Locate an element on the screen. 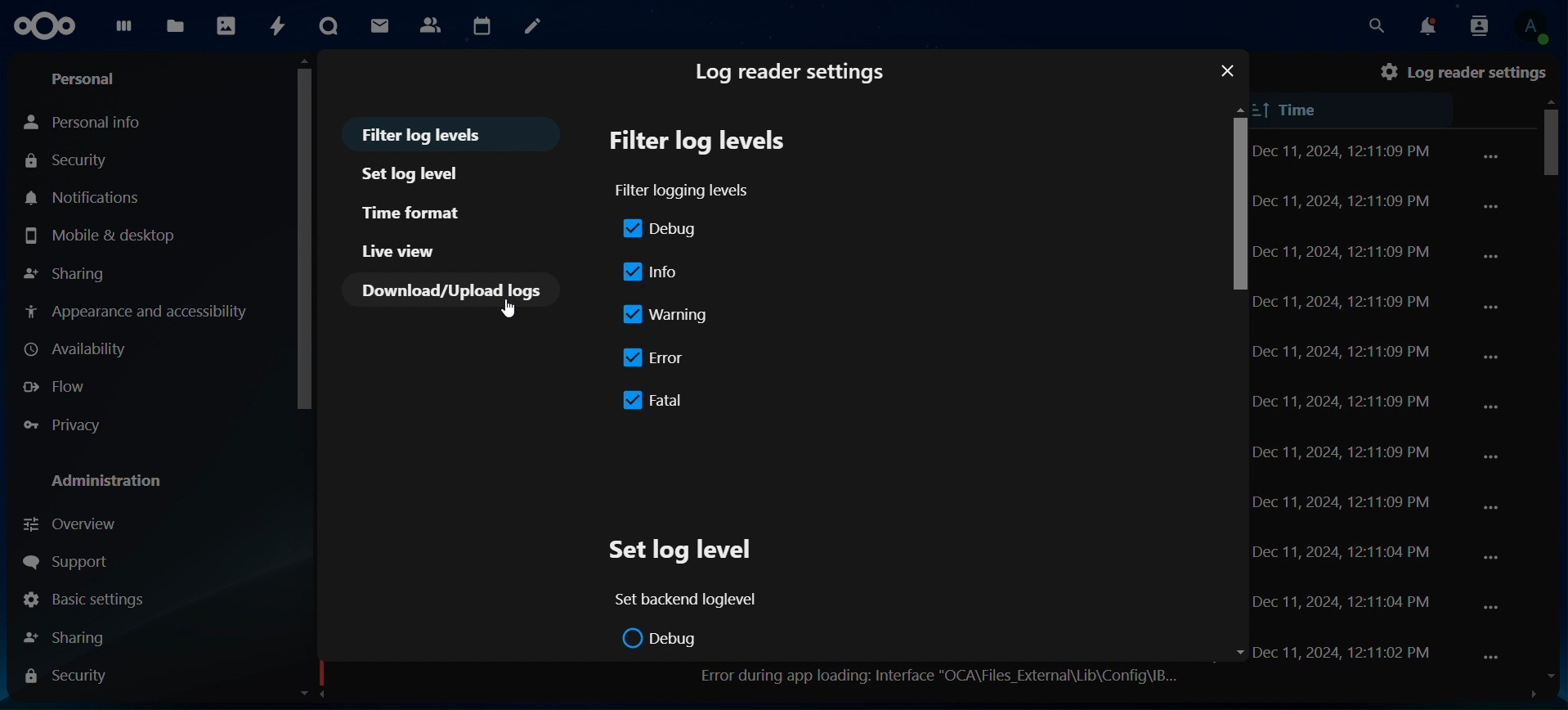  personal info is located at coordinates (89, 123).